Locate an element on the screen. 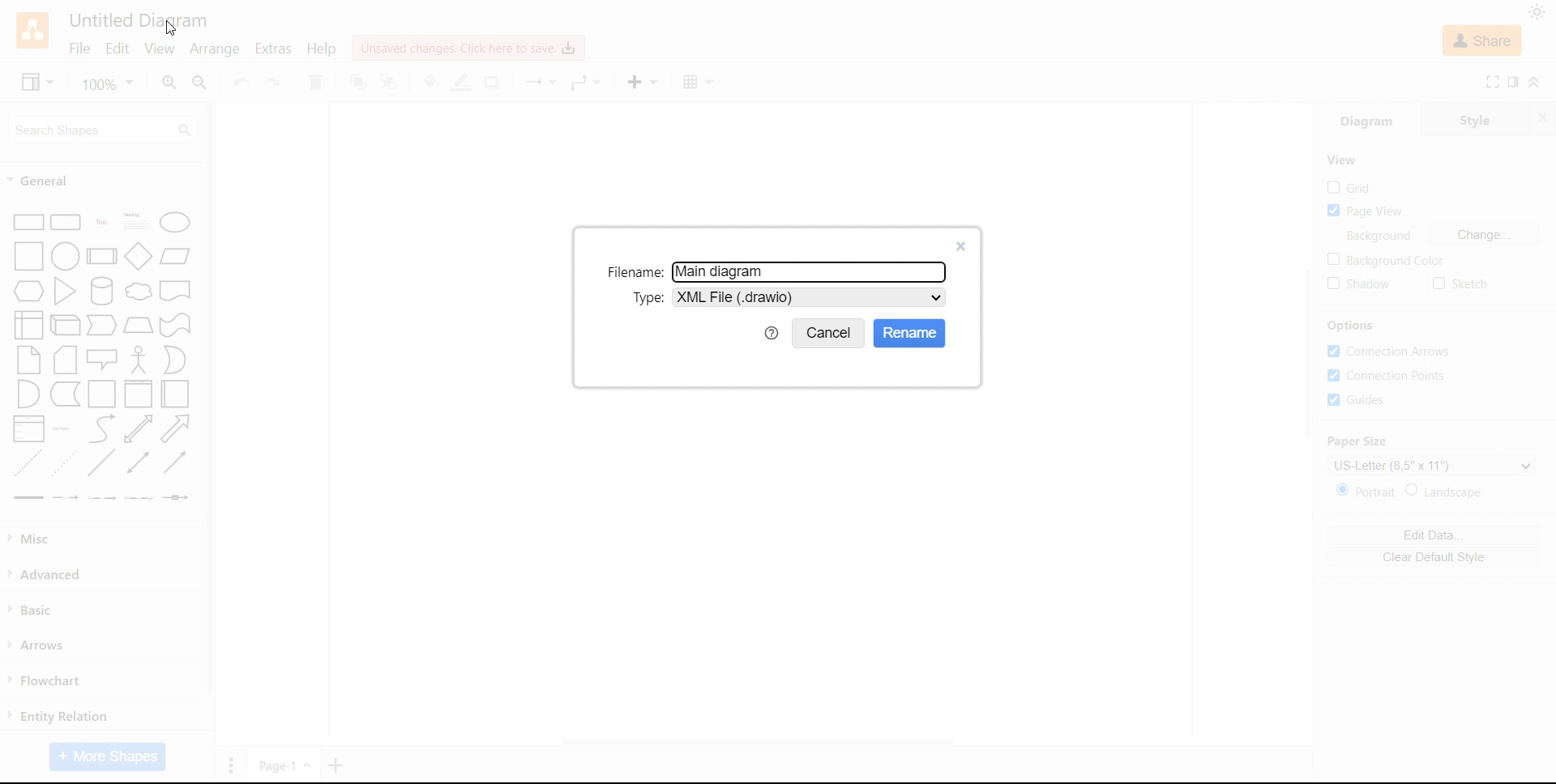 This screenshot has height=784, width=1556. Extras  is located at coordinates (272, 49).